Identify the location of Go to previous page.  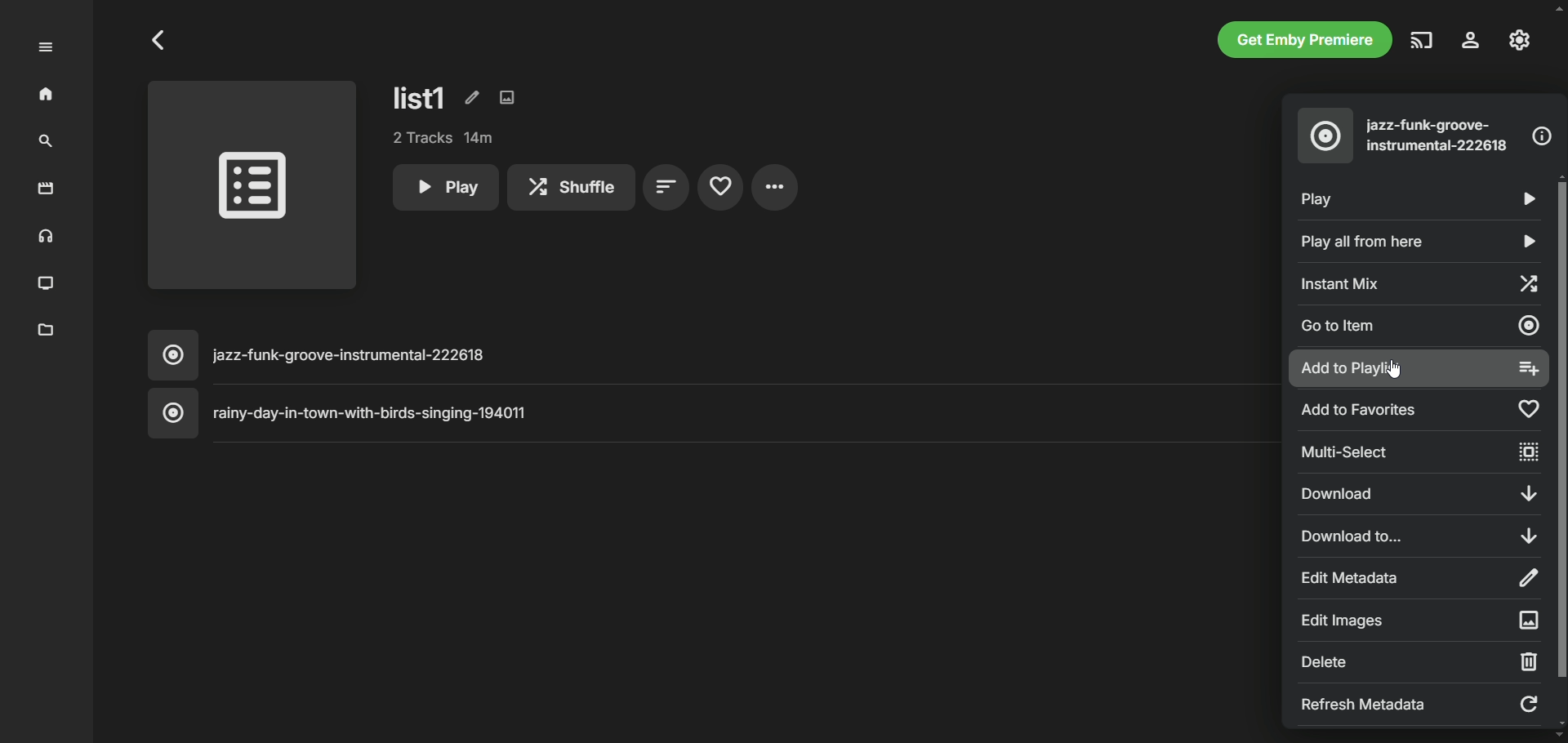
(160, 40).